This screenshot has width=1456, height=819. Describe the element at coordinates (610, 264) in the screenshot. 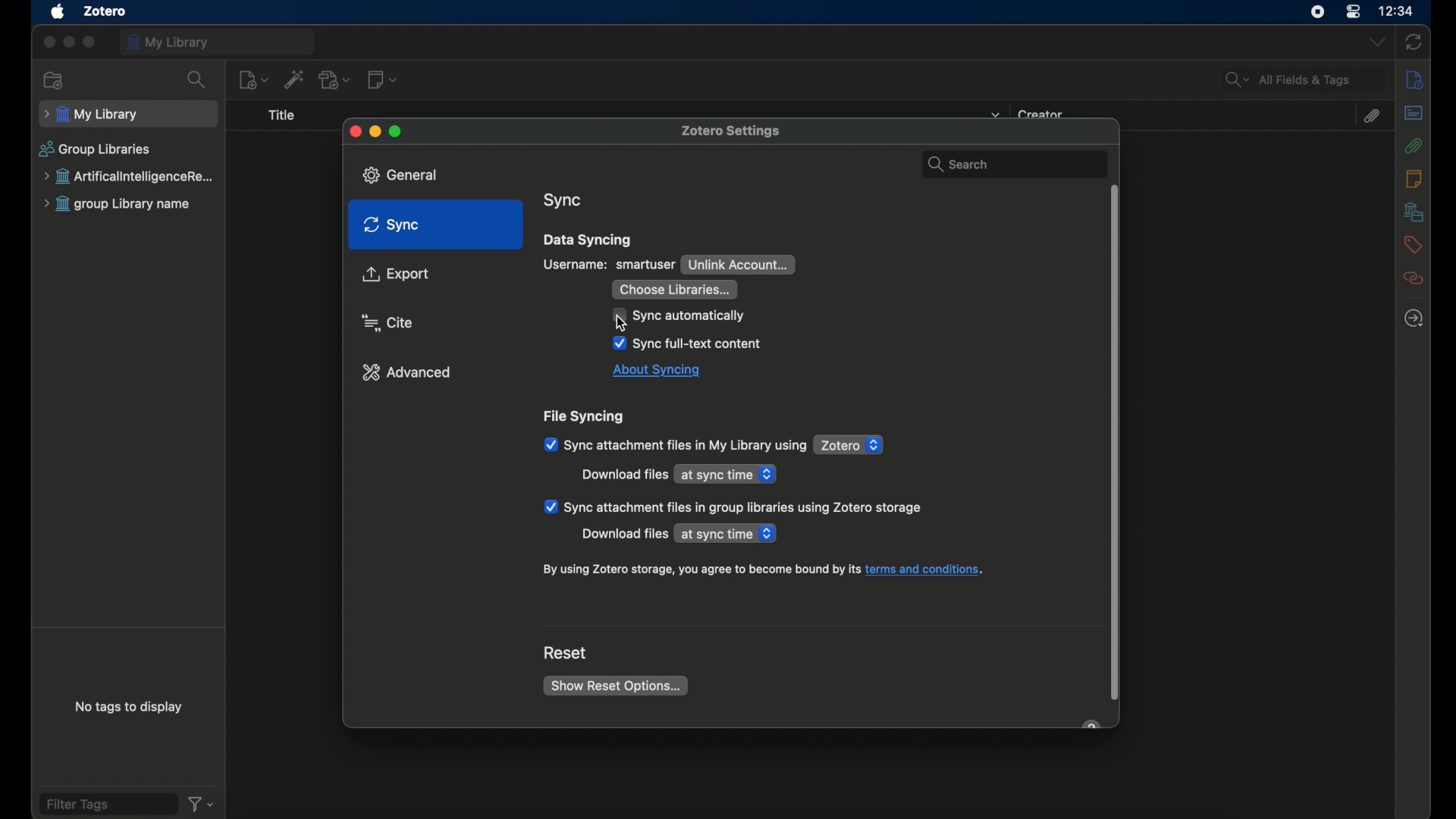

I see `username: smartuser` at that location.